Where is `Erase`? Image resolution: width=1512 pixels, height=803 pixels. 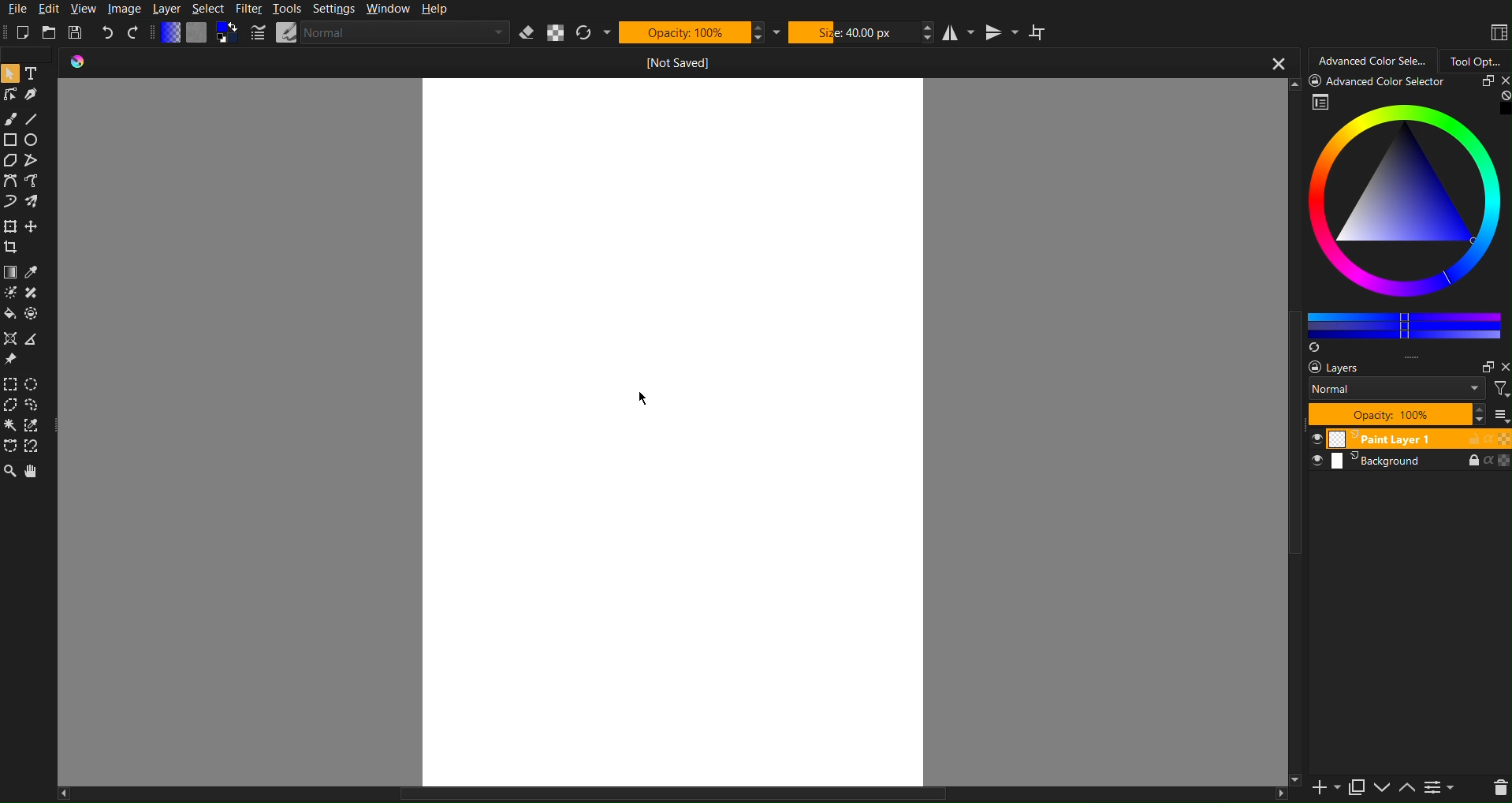
Erase is located at coordinates (527, 33).